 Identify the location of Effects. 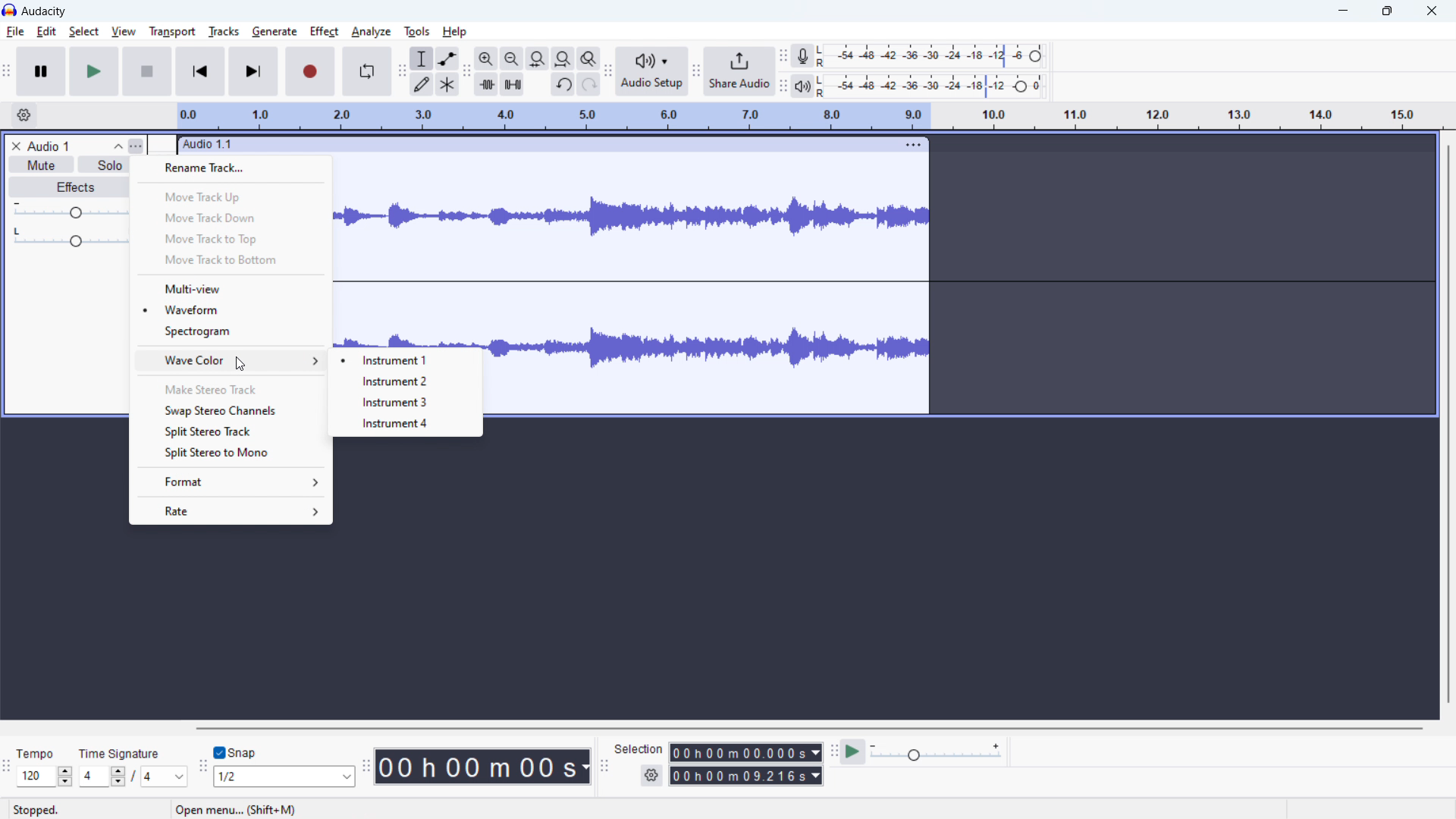
(74, 190).